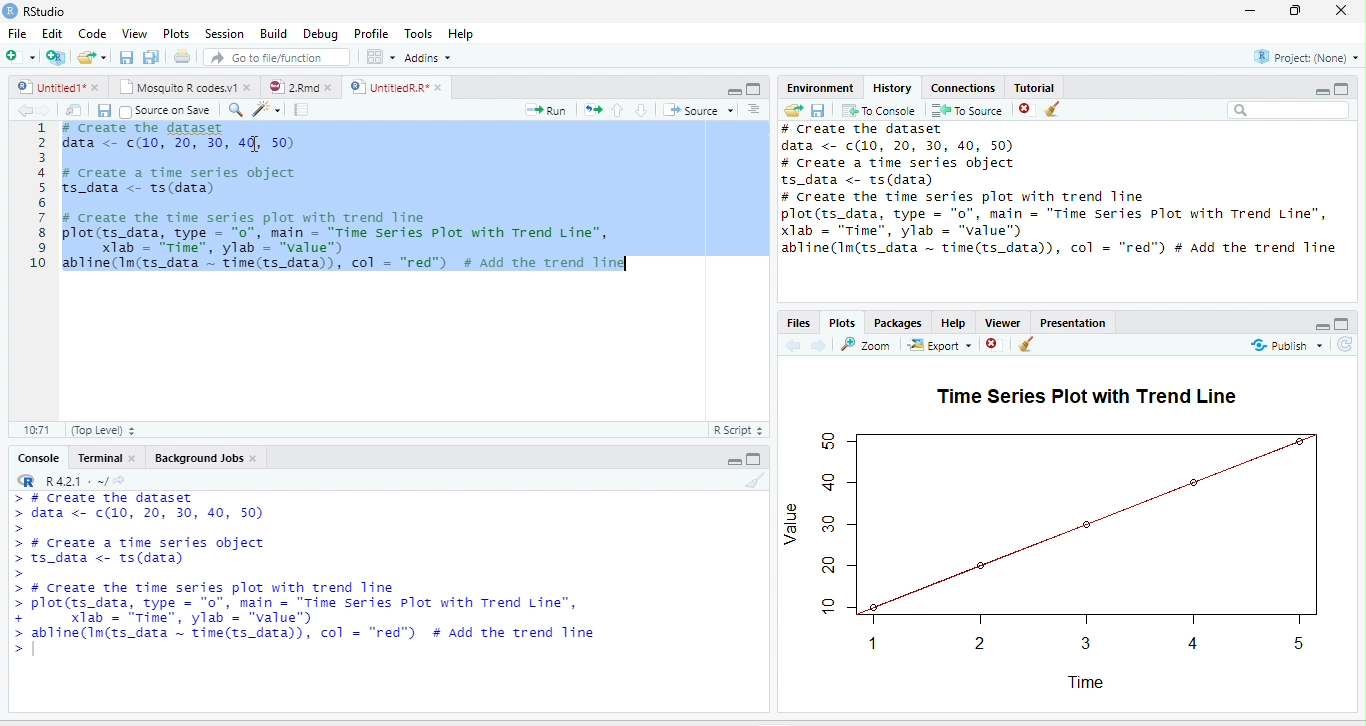 This screenshot has width=1366, height=726. What do you see at coordinates (1085, 396) in the screenshot?
I see `Time Series Plot with Trend Line` at bounding box center [1085, 396].